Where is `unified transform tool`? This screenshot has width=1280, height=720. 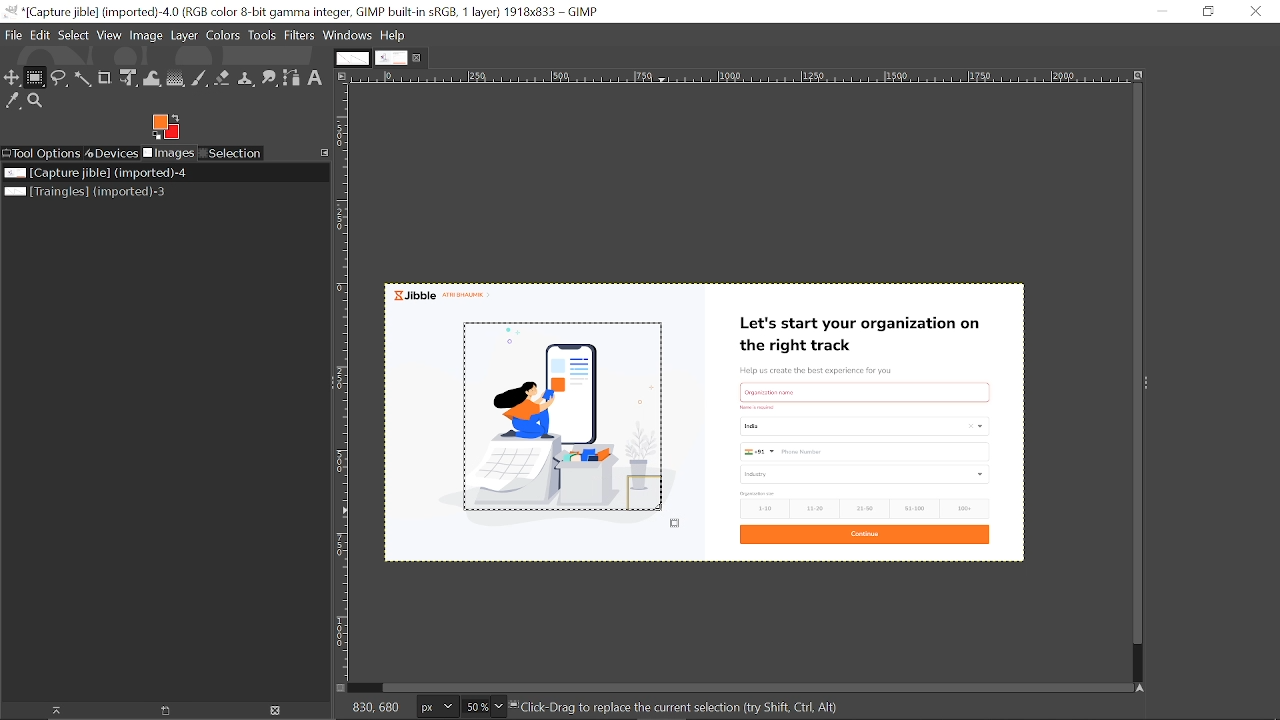
unified transform tool is located at coordinates (126, 78).